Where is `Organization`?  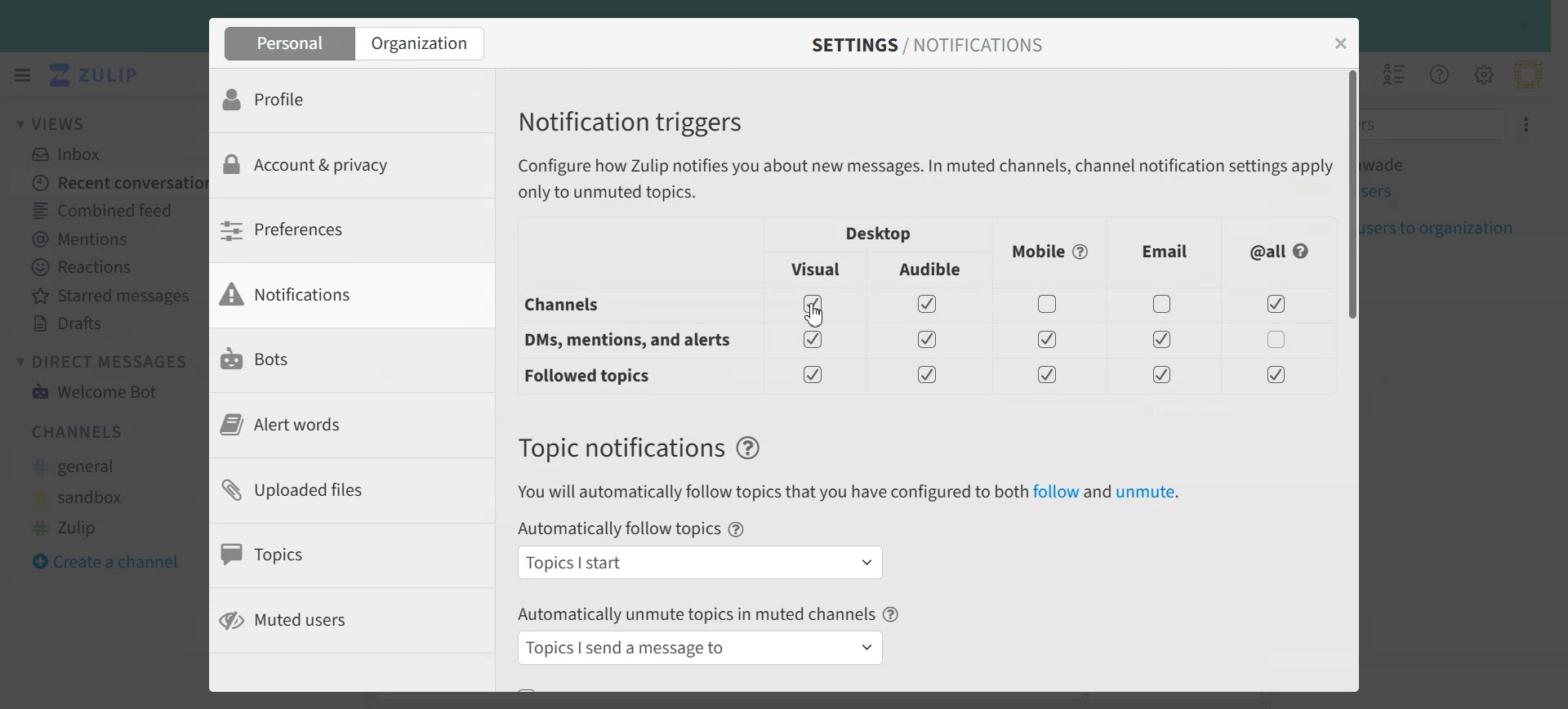
Organization is located at coordinates (423, 43).